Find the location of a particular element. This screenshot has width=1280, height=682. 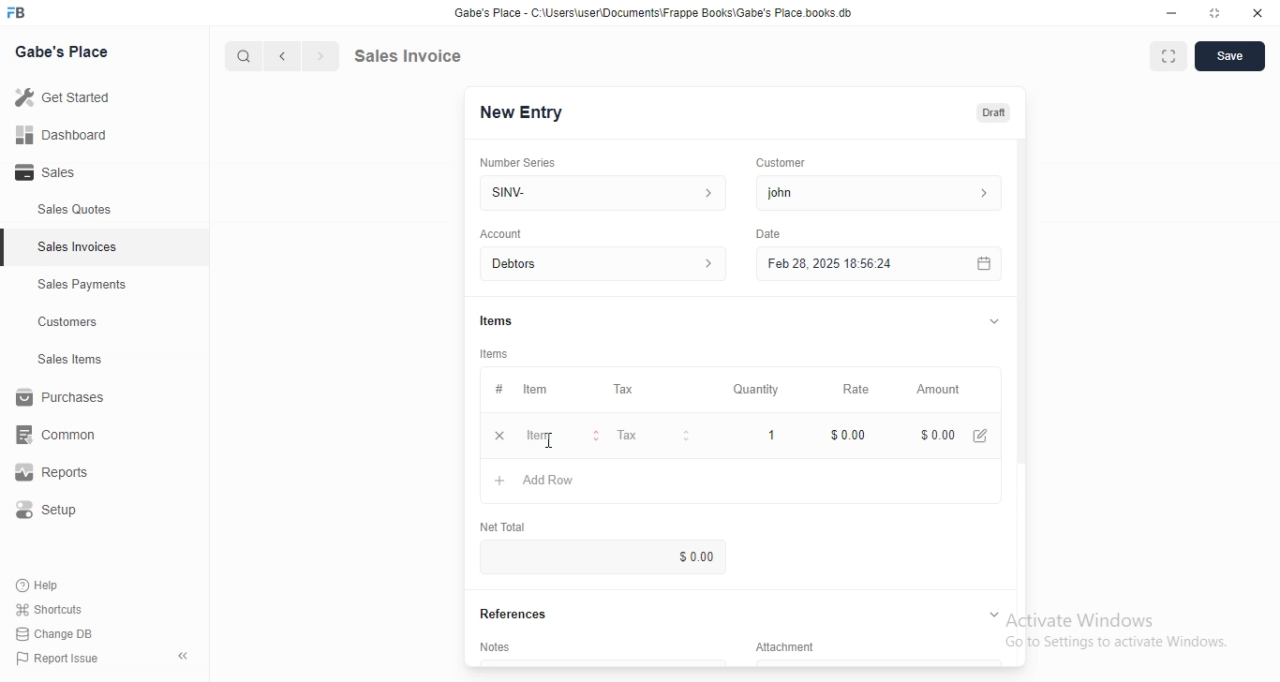

edit is located at coordinates (983, 435).